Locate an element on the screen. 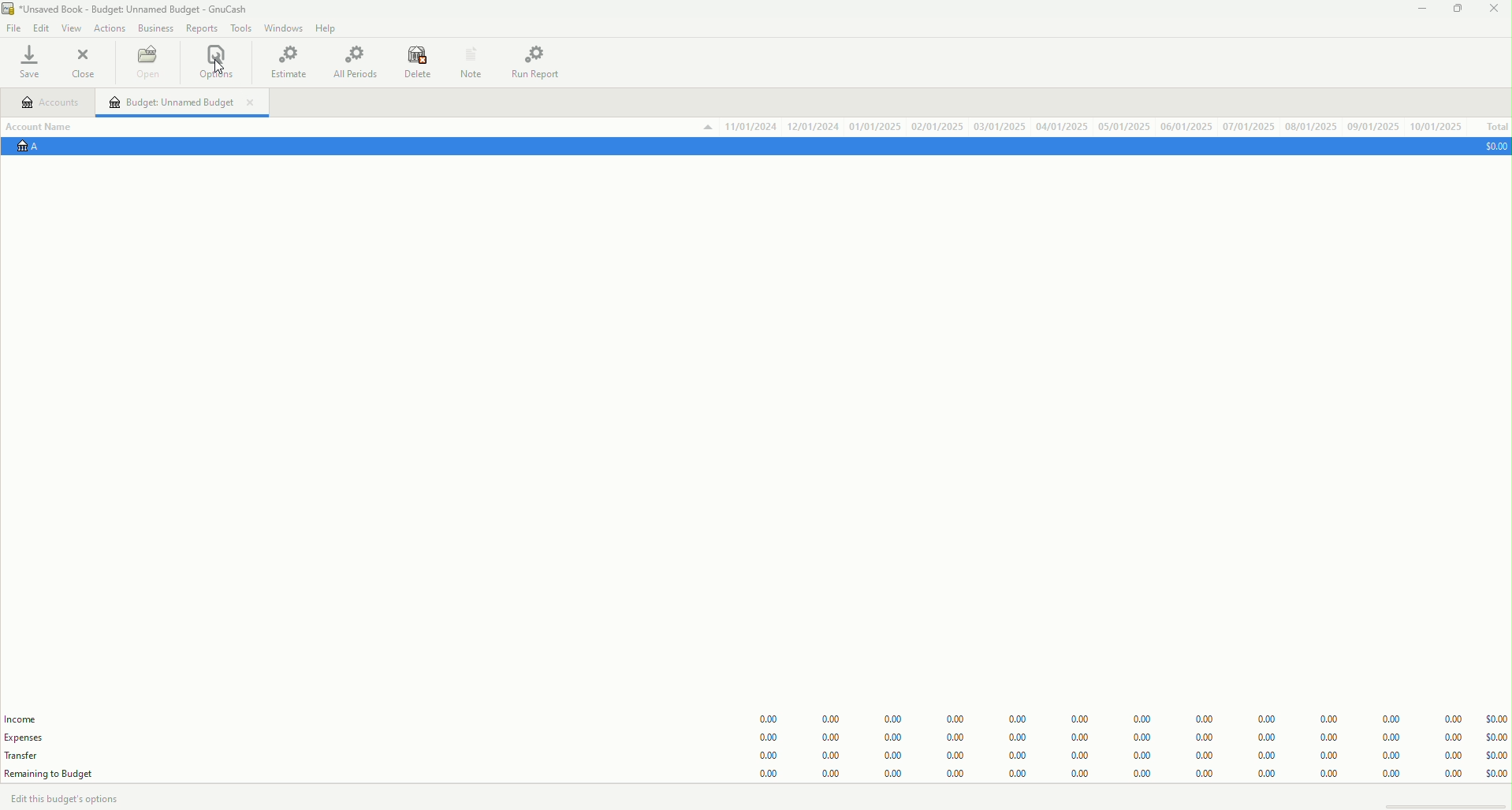 This screenshot has height=810, width=1512. Save is located at coordinates (34, 64).